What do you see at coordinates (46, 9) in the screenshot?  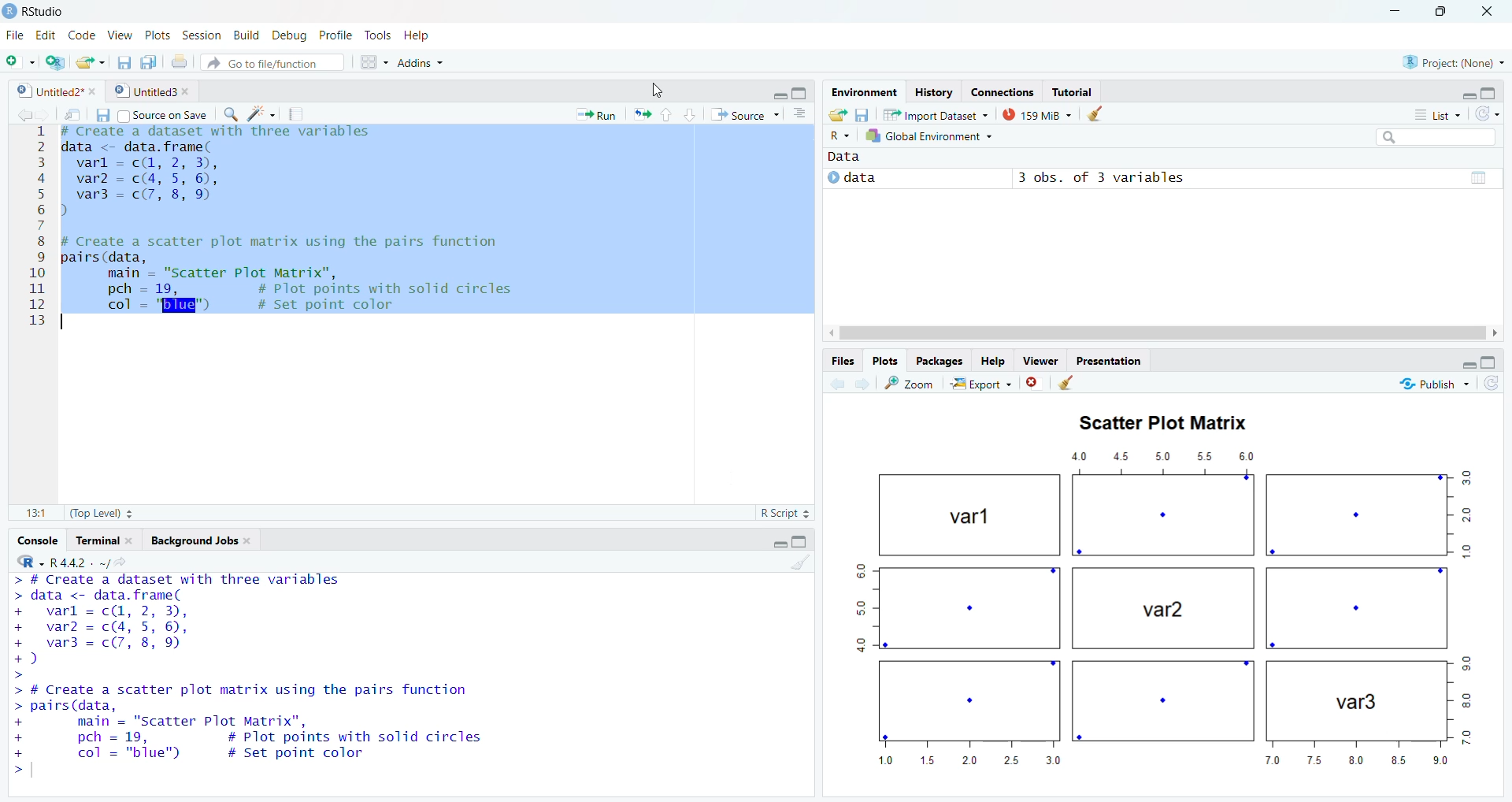 I see `Rstudio` at bounding box center [46, 9].